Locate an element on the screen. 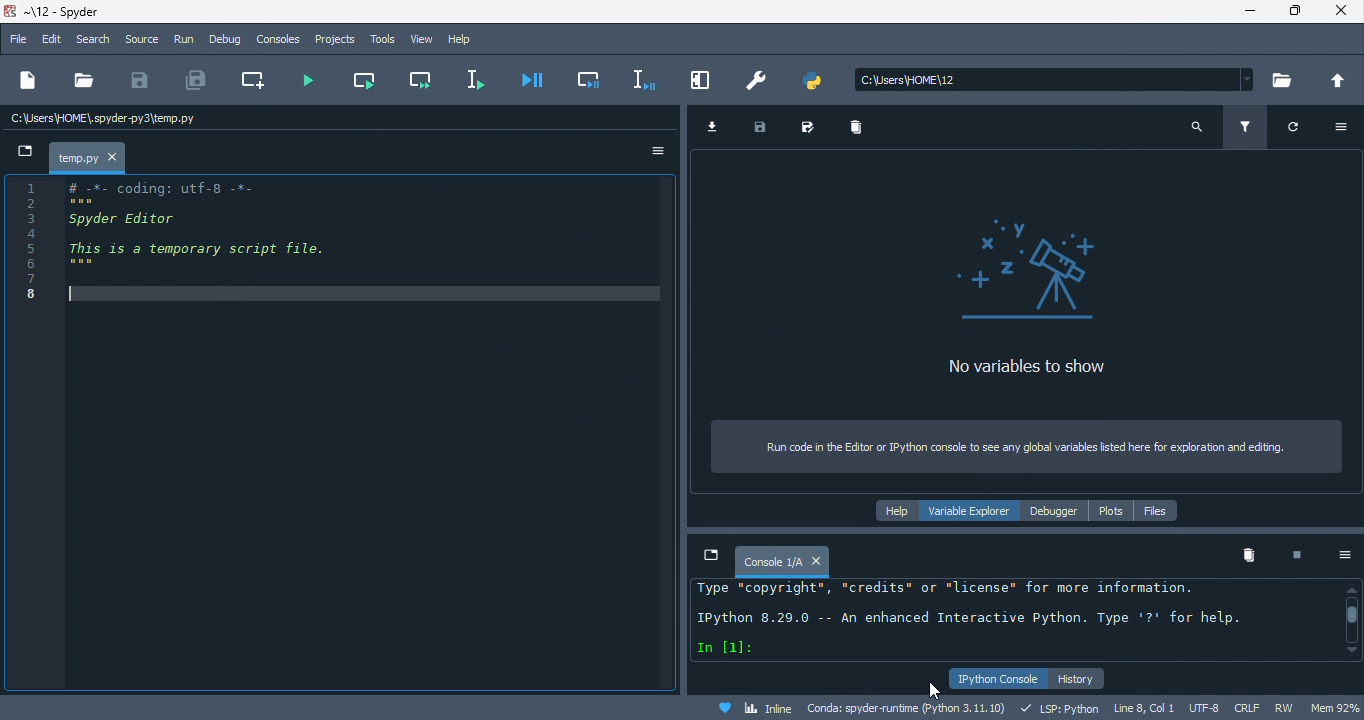 Image resolution: width=1364 pixels, height=720 pixels. help is located at coordinates (470, 39).